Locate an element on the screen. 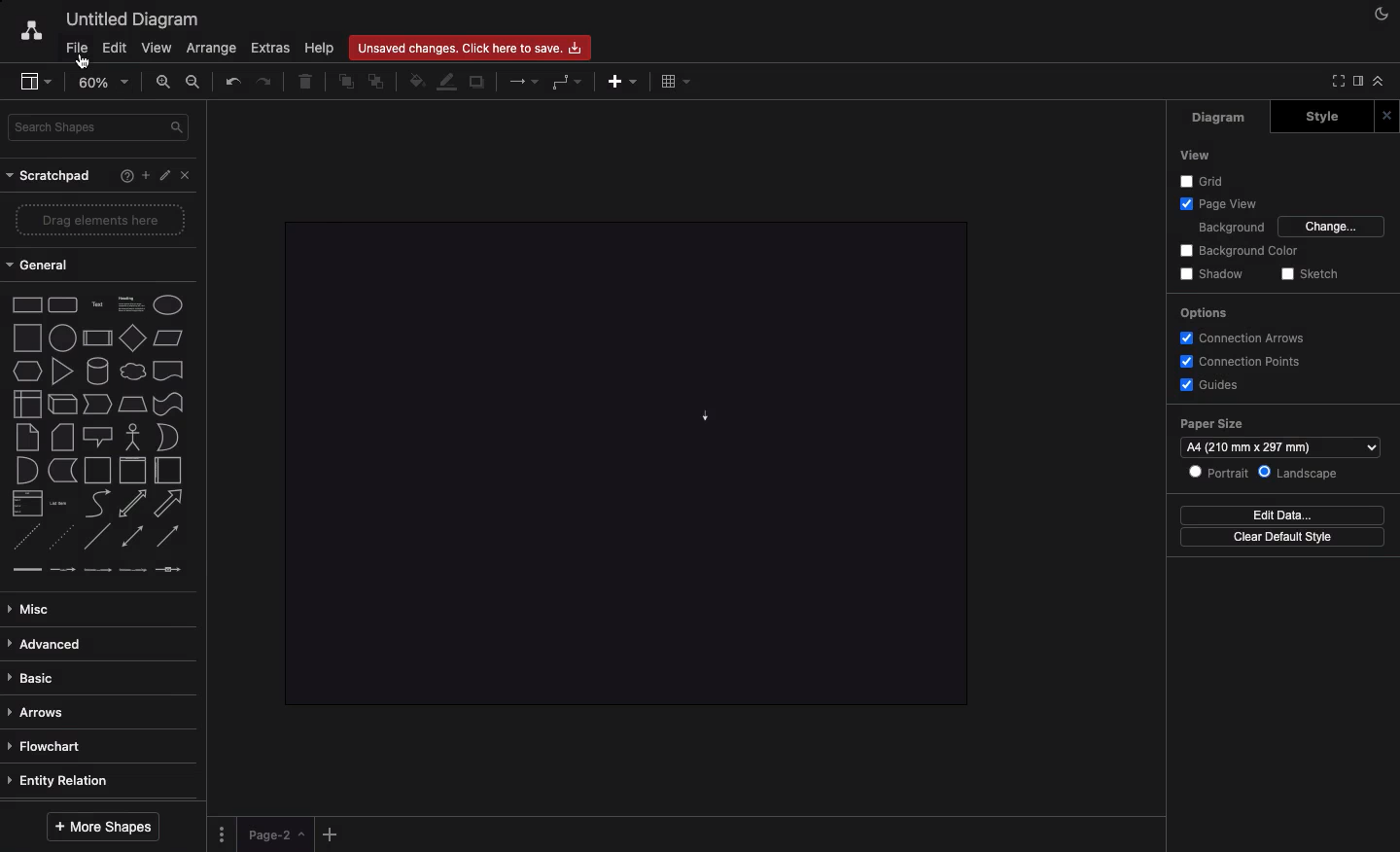 The height and width of the screenshot is (852, 1400). General is located at coordinates (47, 265).